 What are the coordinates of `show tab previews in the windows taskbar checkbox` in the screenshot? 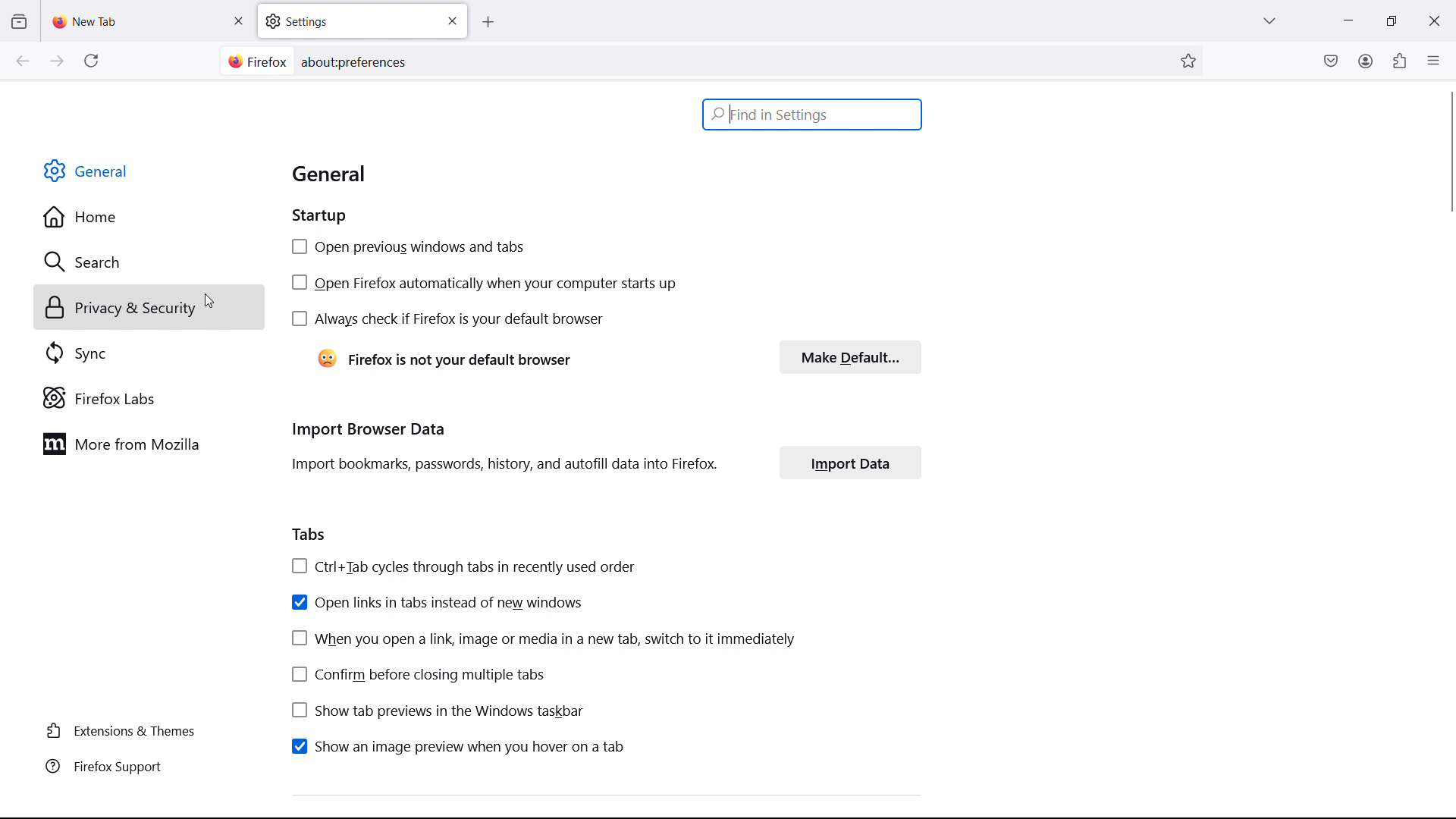 It's located at (438, 711).